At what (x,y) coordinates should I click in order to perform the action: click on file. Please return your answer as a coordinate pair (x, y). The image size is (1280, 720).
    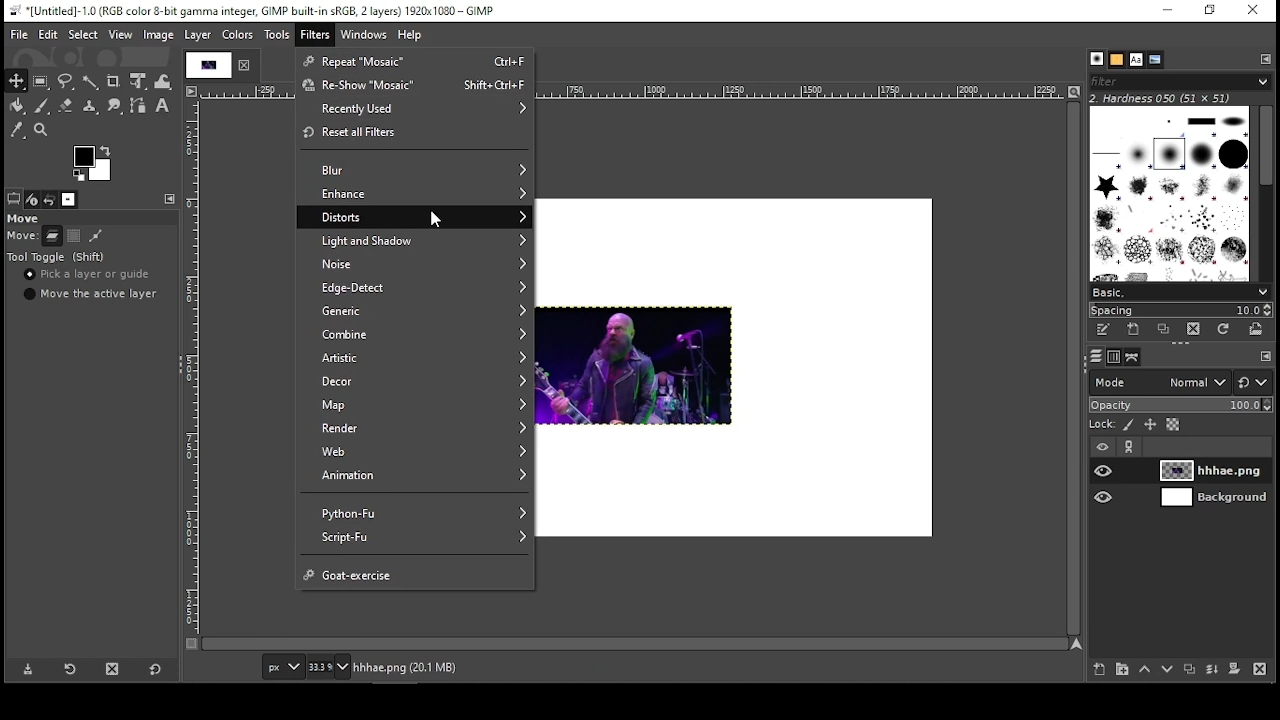
    Looking at the image, I should click on (19, 33).